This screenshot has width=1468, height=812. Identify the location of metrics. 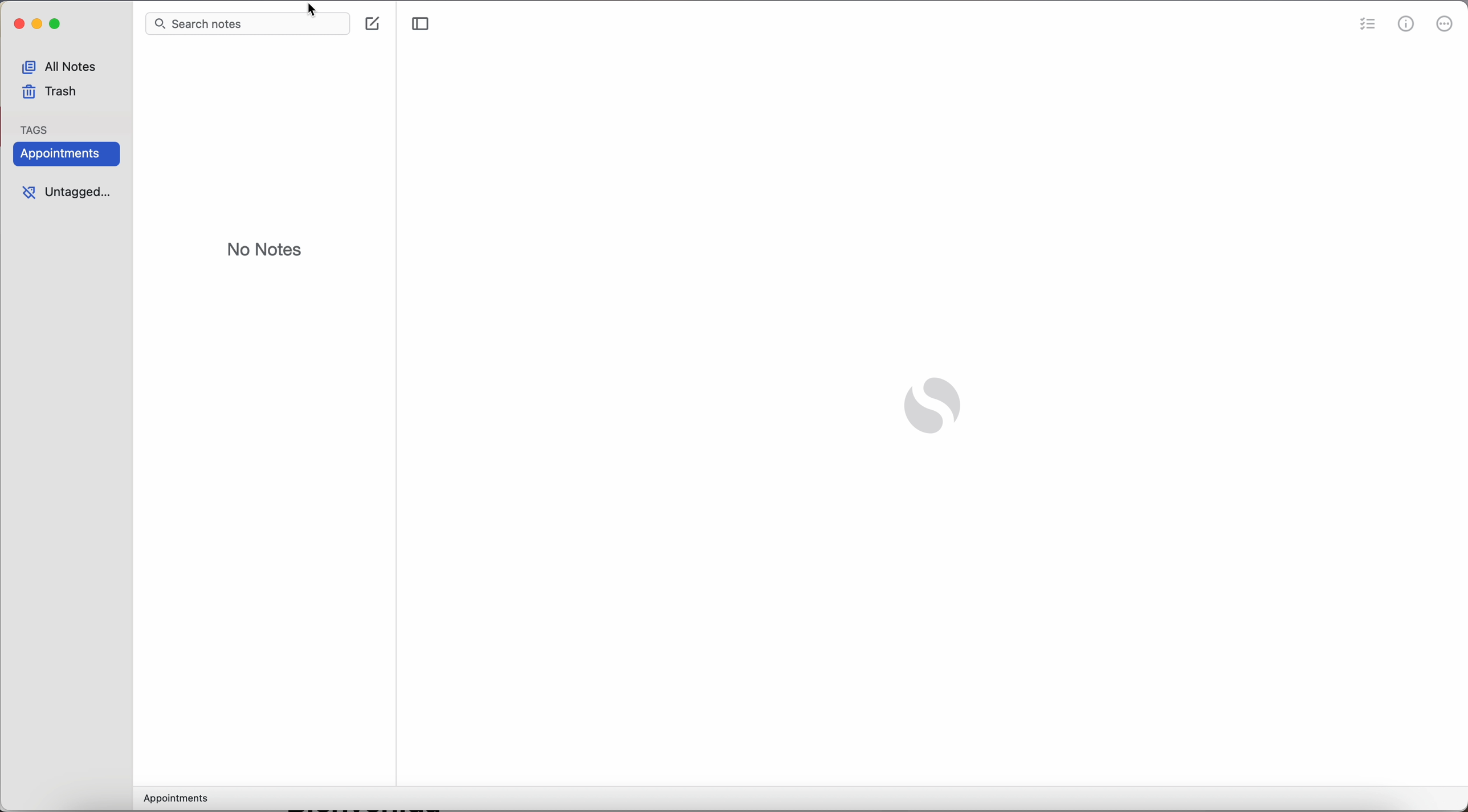
(1408, 25).